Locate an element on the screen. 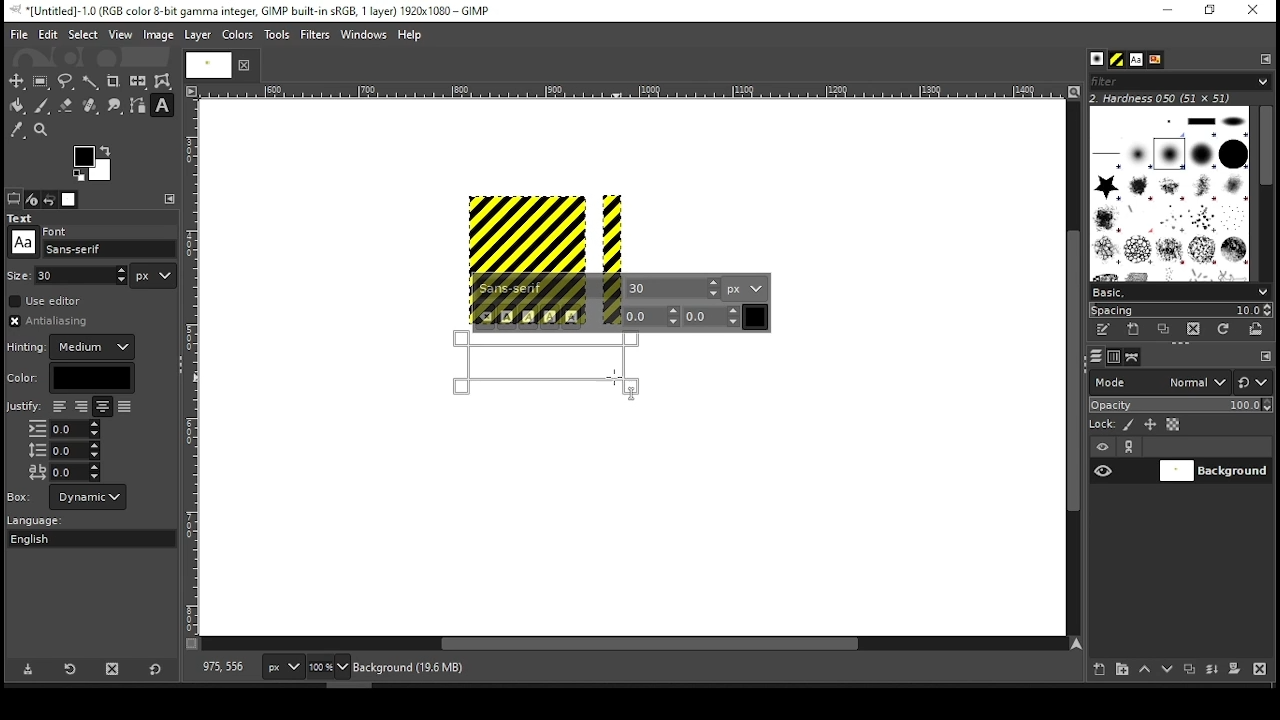 The height and width of the screenshot is (720, 1280). save tool preset is located at coordinates (30, 668).